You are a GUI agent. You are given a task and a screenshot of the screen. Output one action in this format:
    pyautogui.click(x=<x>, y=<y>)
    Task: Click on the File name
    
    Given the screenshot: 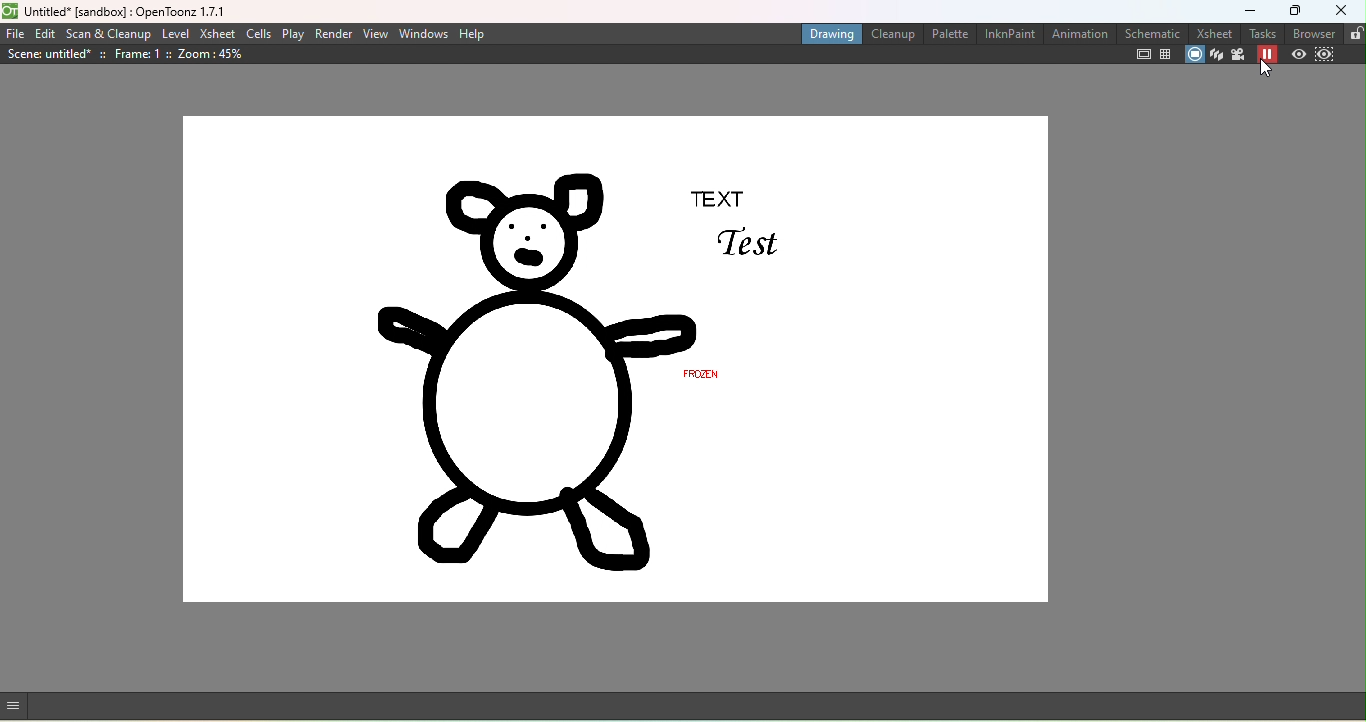 What is the action you would take?
    pyautogui.click(x=115, y=11)
    